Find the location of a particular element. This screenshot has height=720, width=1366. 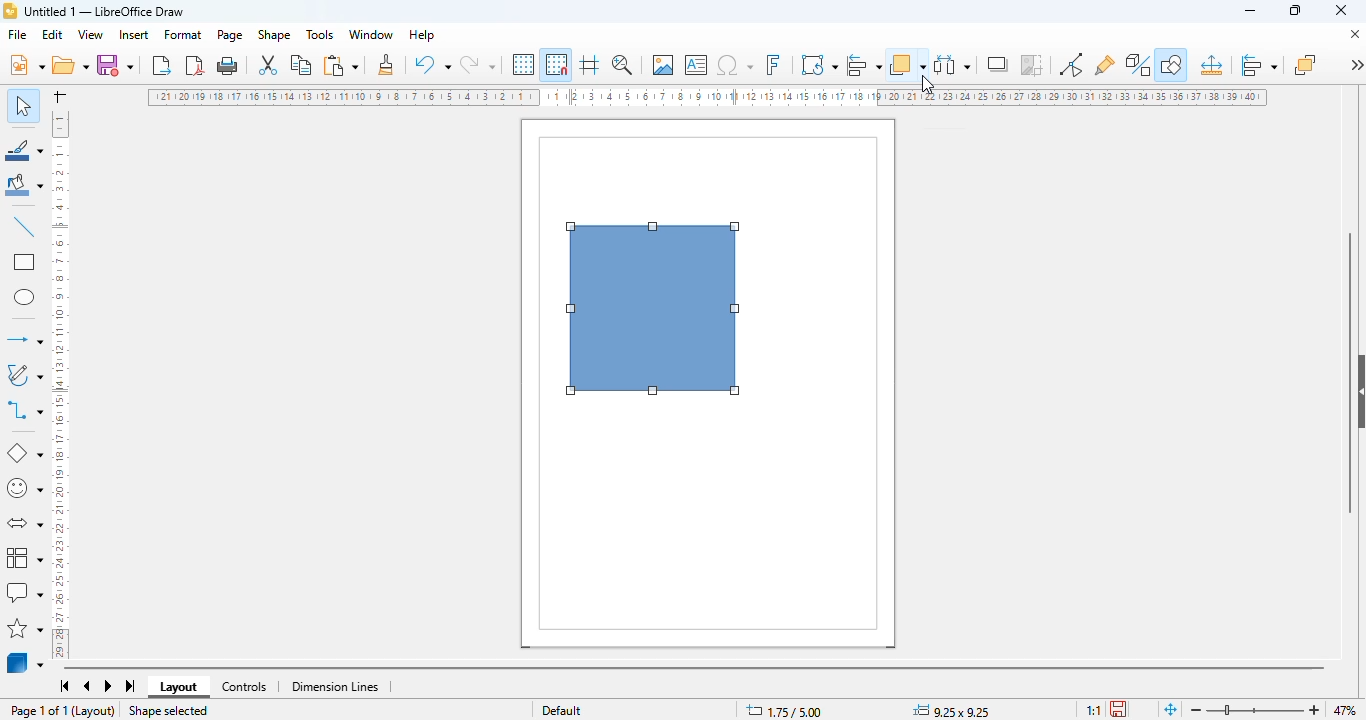

dimension lines is located at coordinates (336, 687).